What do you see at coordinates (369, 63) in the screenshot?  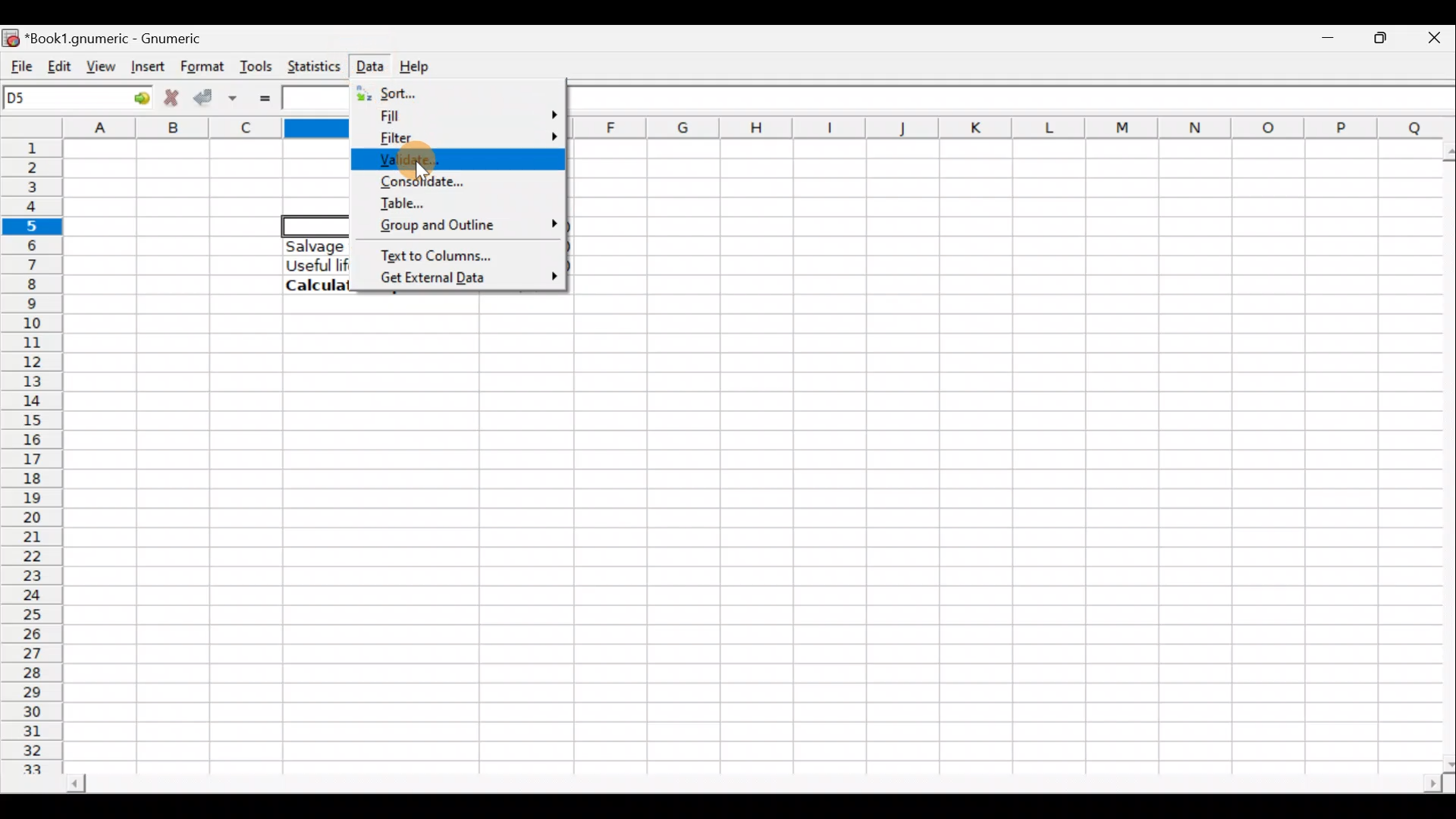 I see `Data` at bounding box center [369, 63].